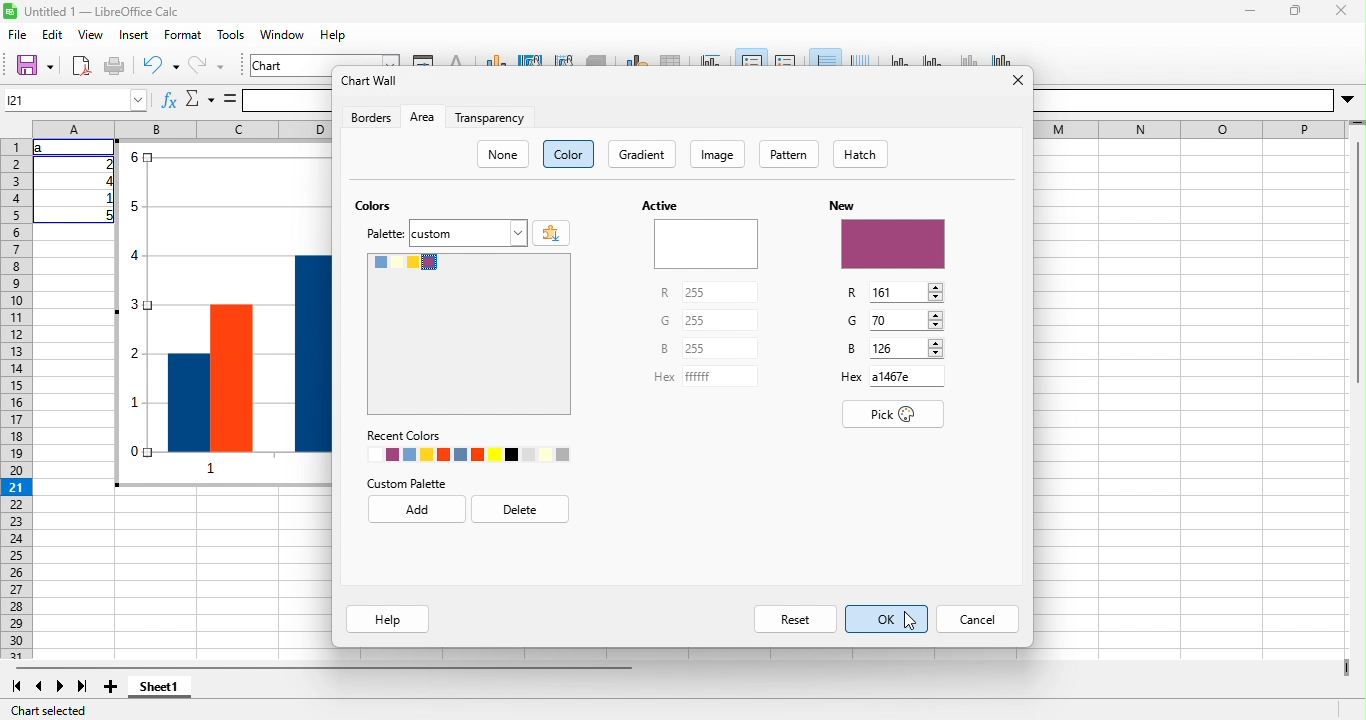  I want to click on More options, so click(1347, 100).